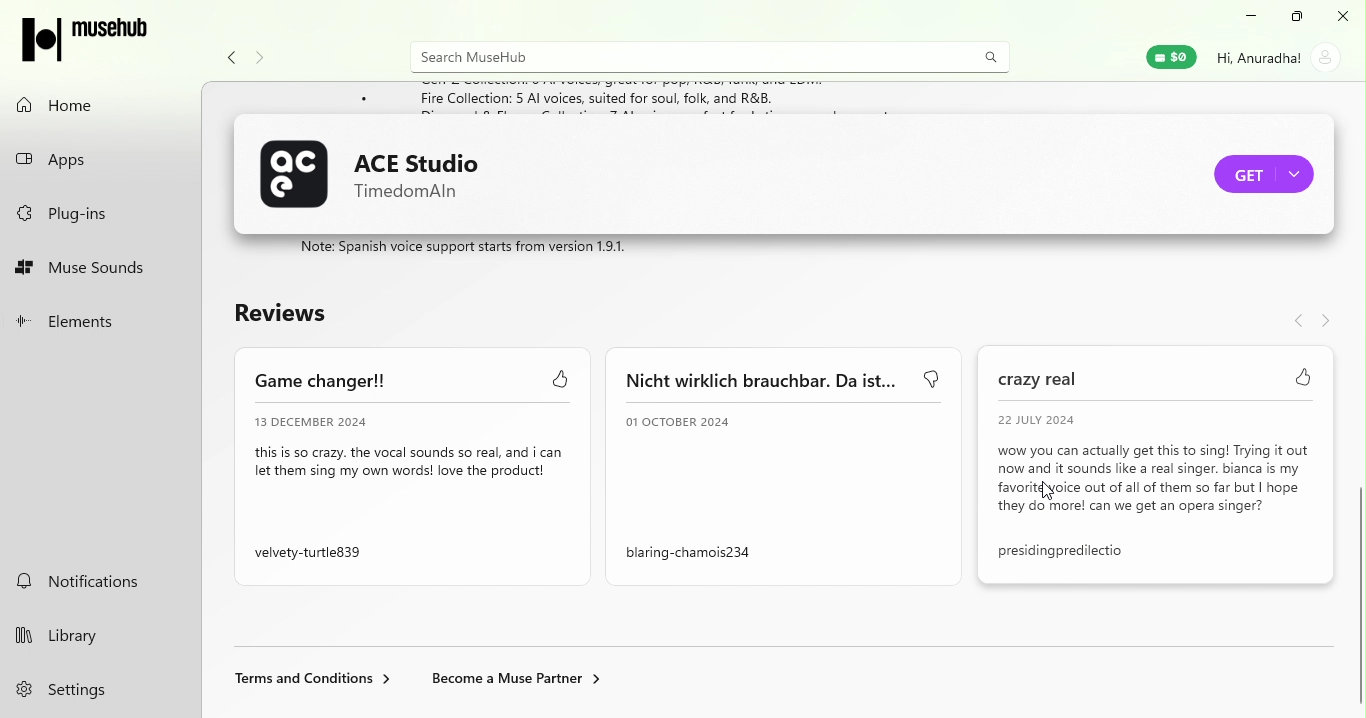 This screenshot has width=1366, height=718. I want to click on navigate back, so click(232, 55).